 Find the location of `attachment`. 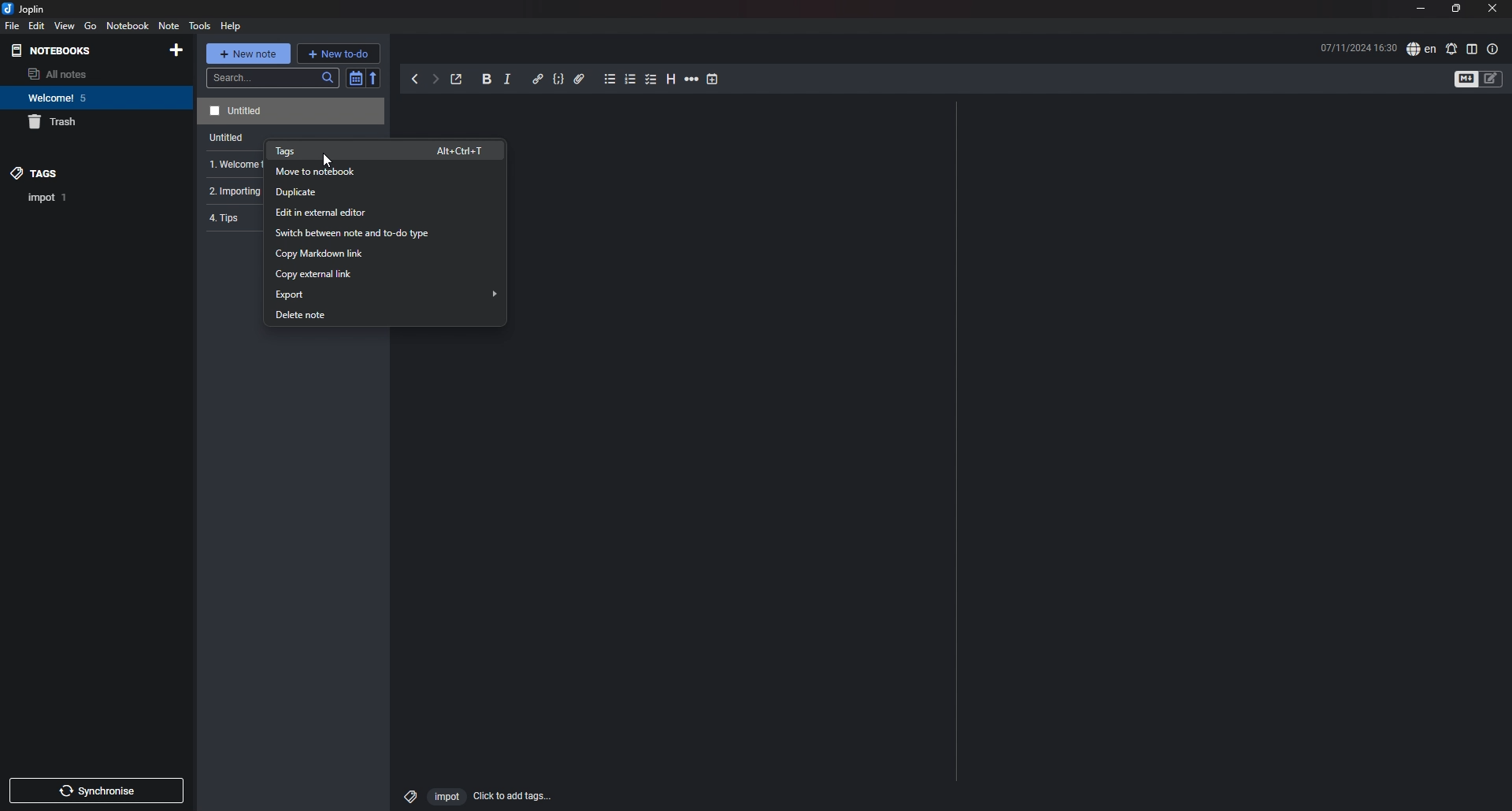

attachment is located at coordinates (580, 79).